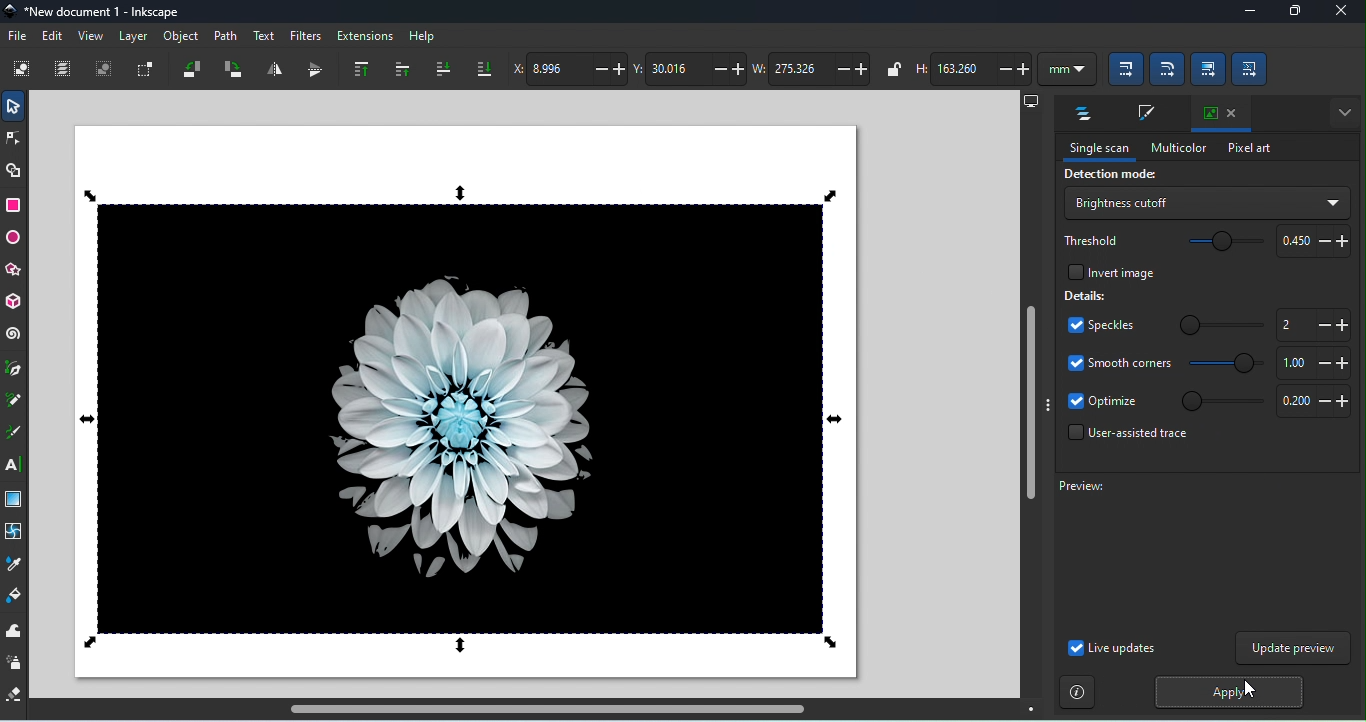 The height and width of the screenshot is (722, 1366). What do you see at coordinates (1029, 406) in the screenshot?
I see `Vertical scroll bar` at bounding box center [1029, 406].